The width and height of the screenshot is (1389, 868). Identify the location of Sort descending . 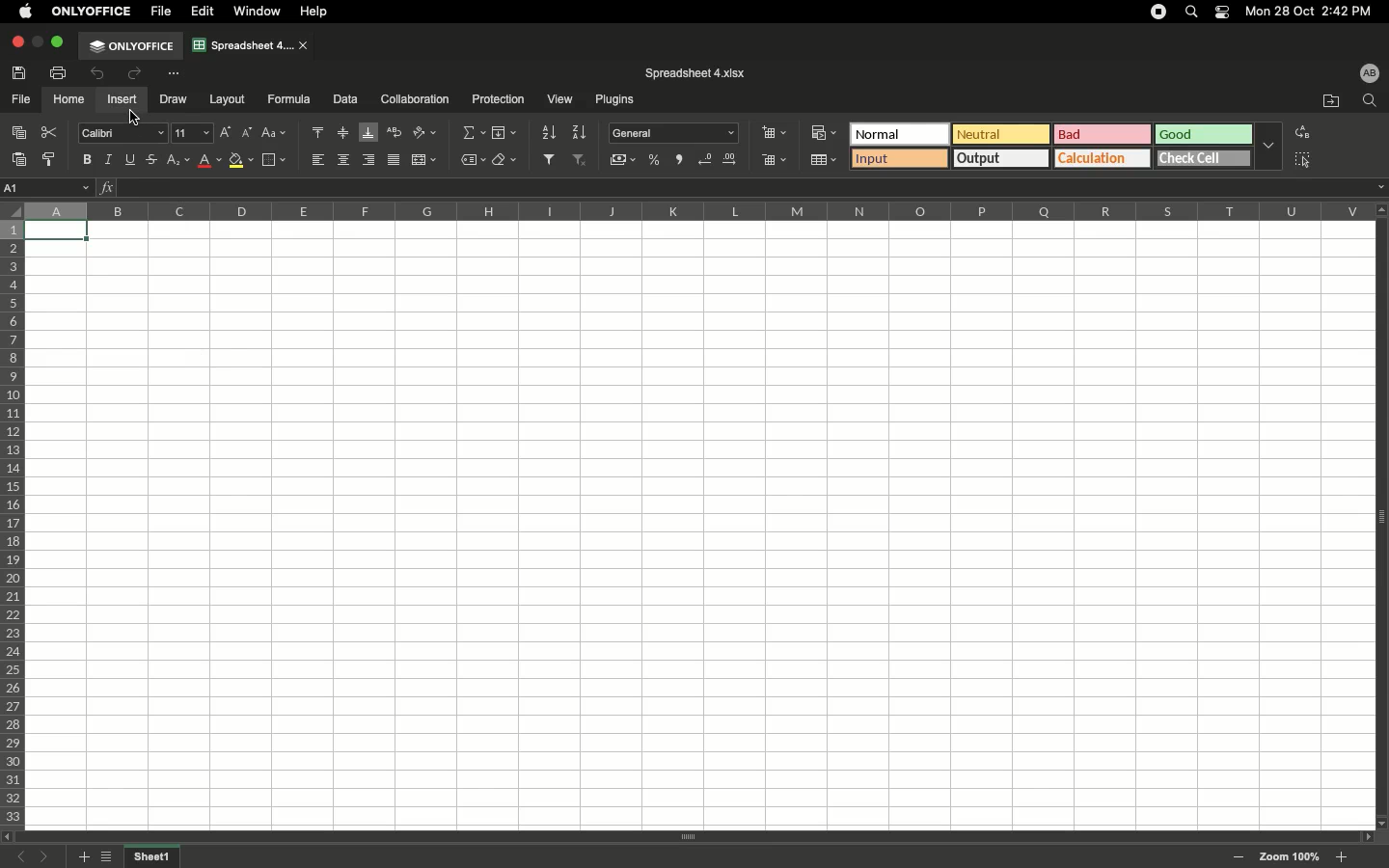
(580, 135).